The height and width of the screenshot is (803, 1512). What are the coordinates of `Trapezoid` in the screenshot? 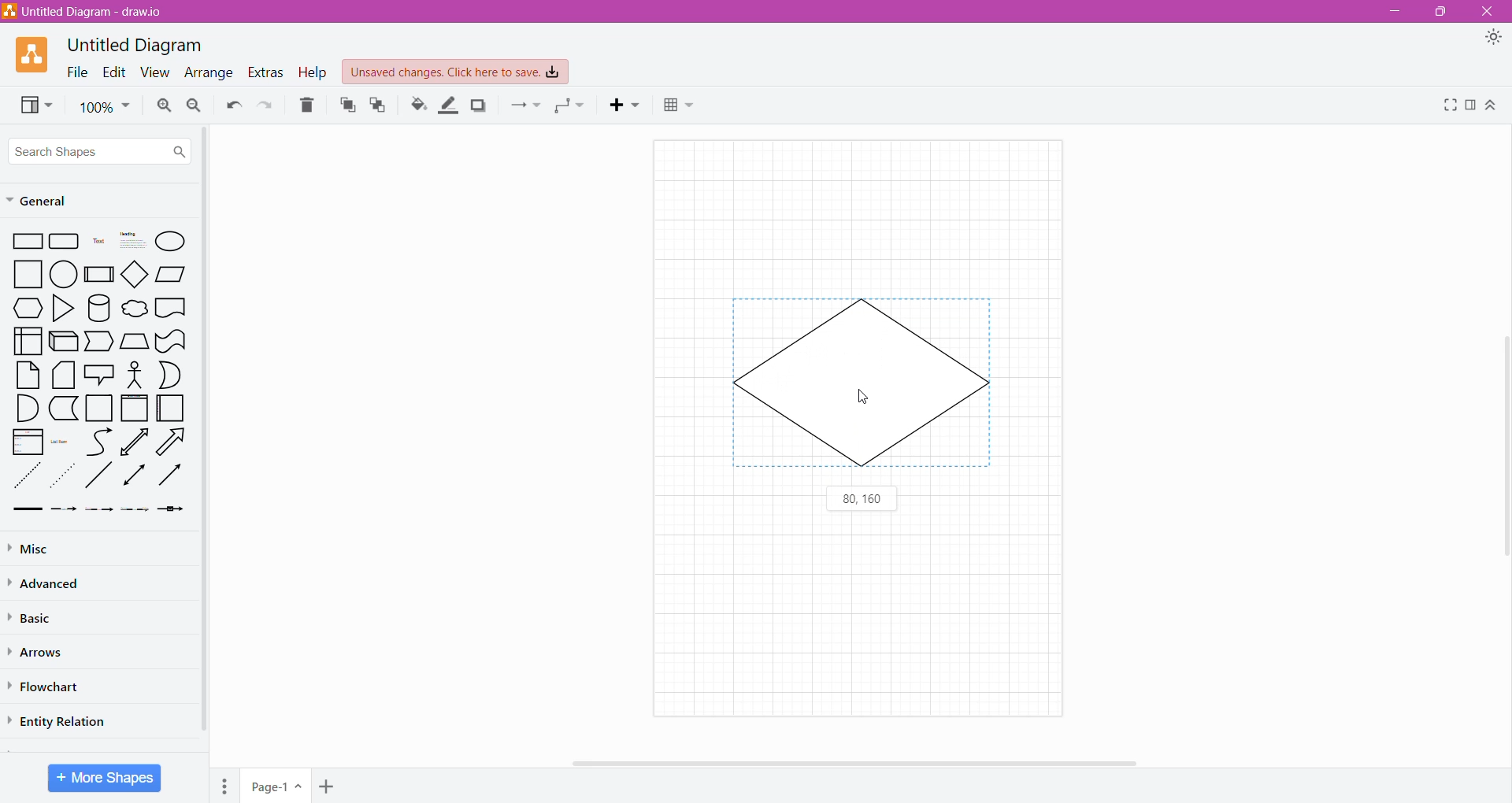 It's located at (134, 342).